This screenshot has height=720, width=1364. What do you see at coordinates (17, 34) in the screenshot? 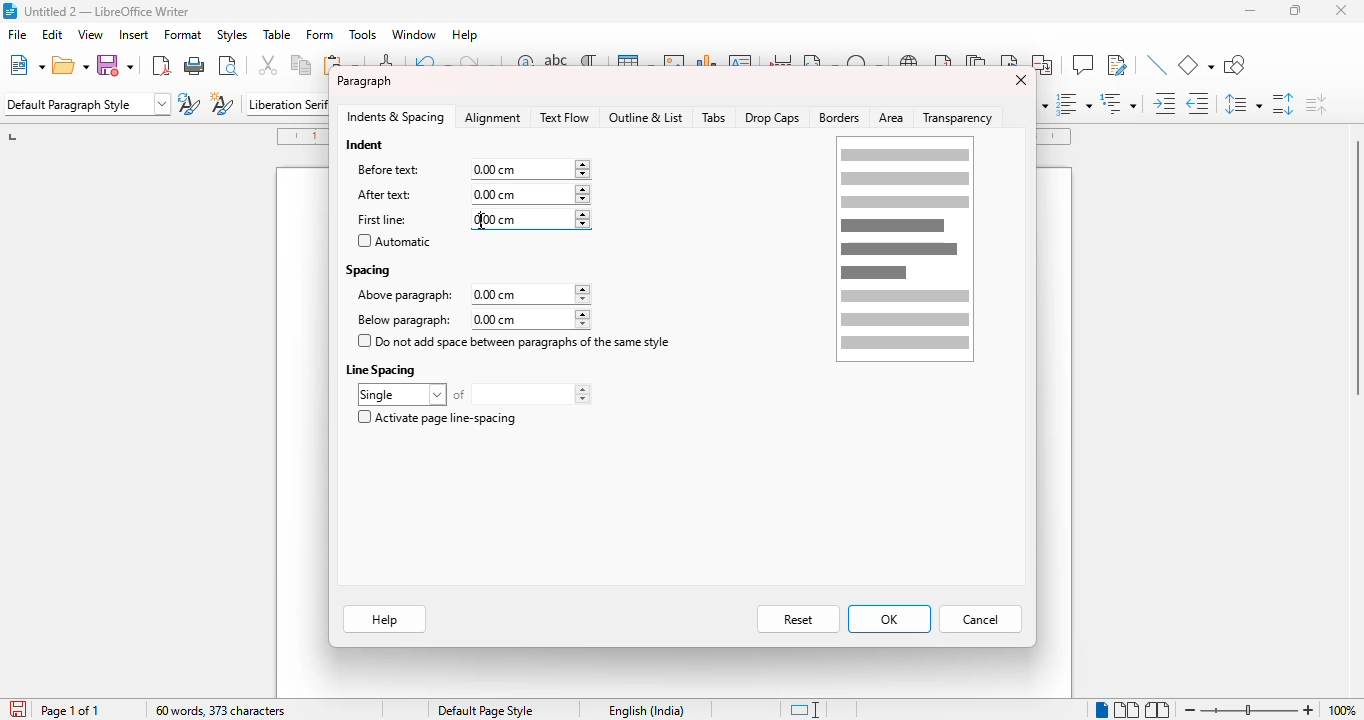
I see `file` at bounding box center [17, 34].